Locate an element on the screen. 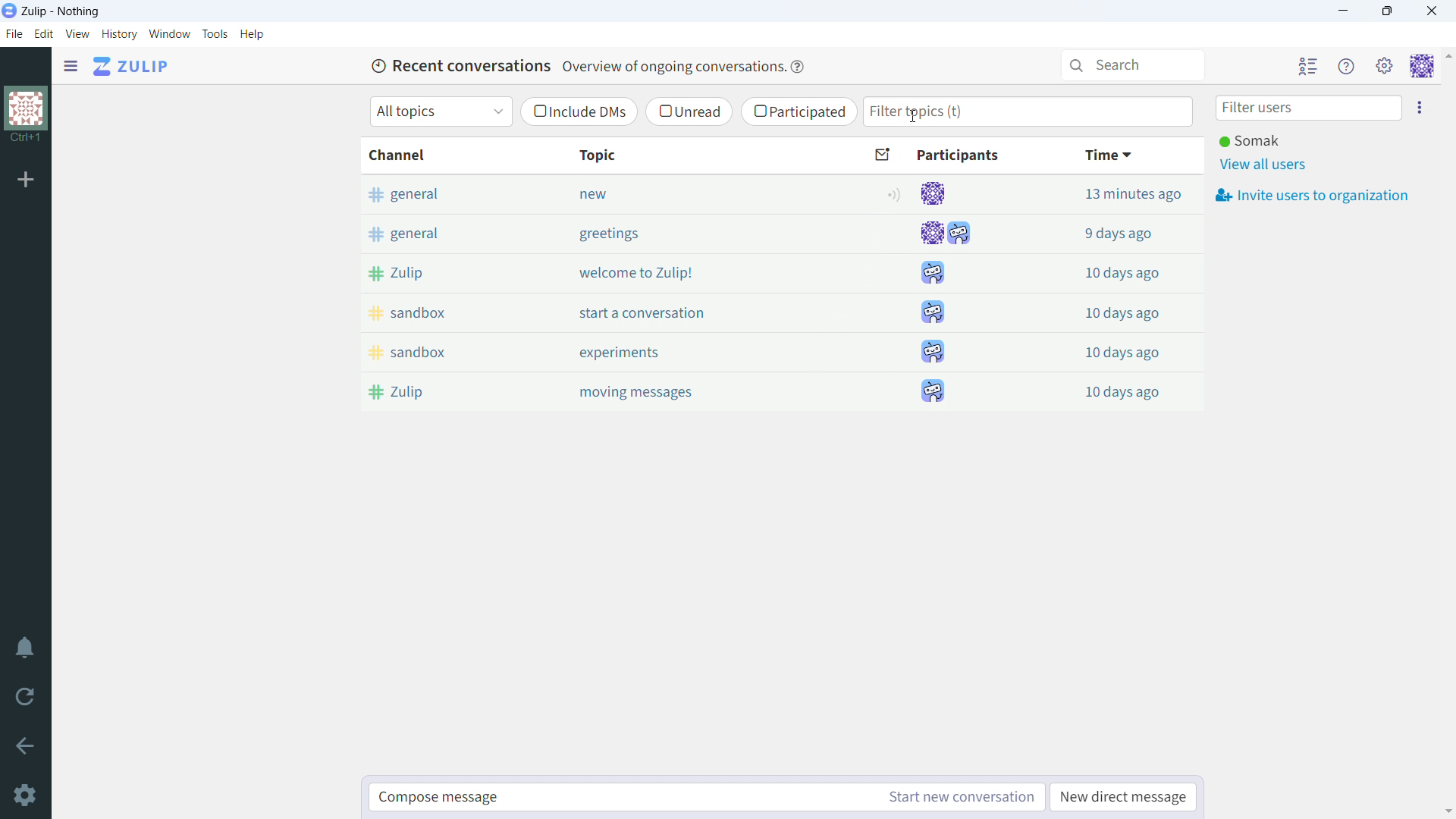 The image size is (1456, 819). Recent conversations is located at coordinates (459, 64).